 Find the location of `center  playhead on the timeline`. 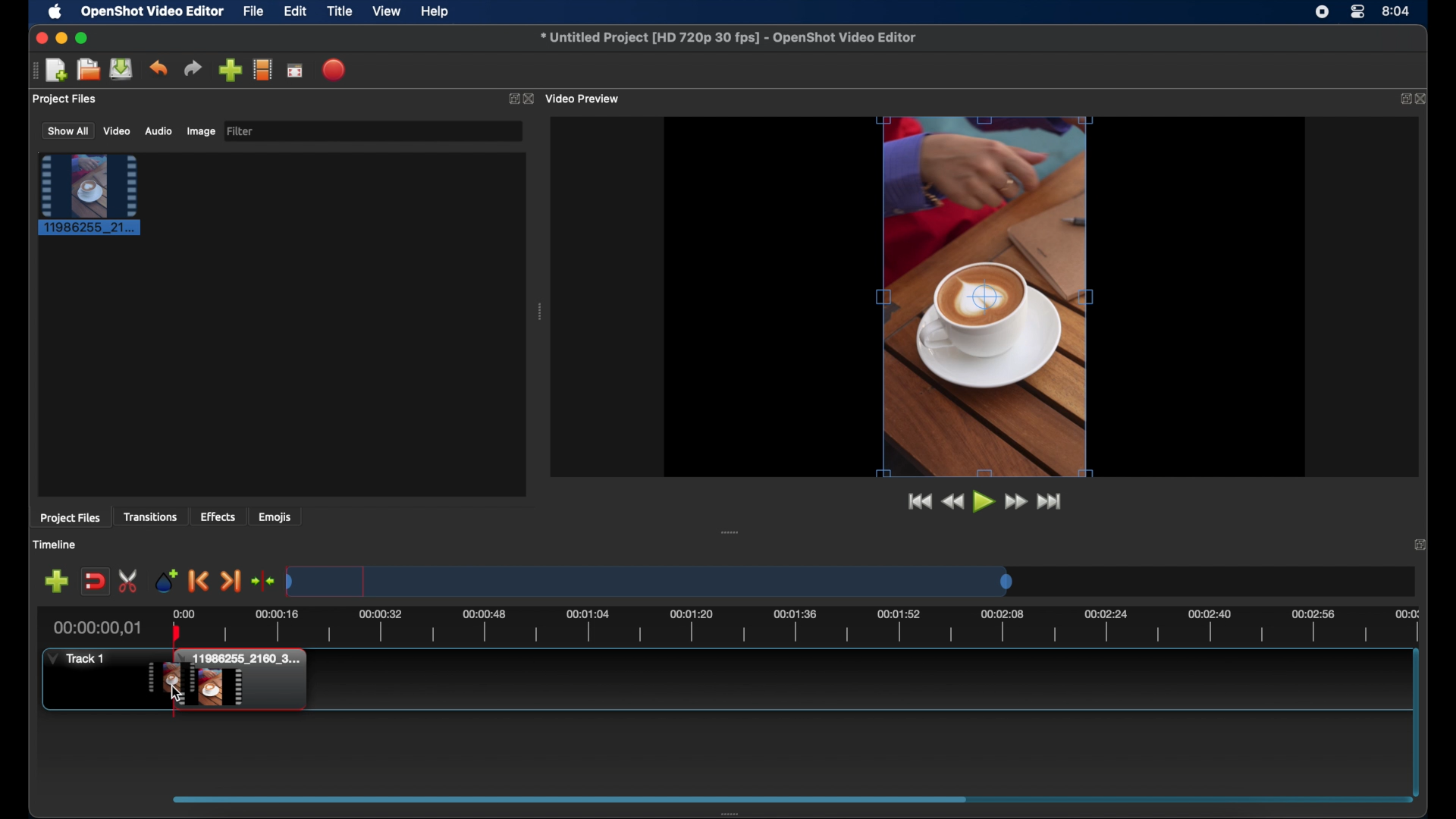

center  playhead on the timeline is located at coordinates (262, 579).